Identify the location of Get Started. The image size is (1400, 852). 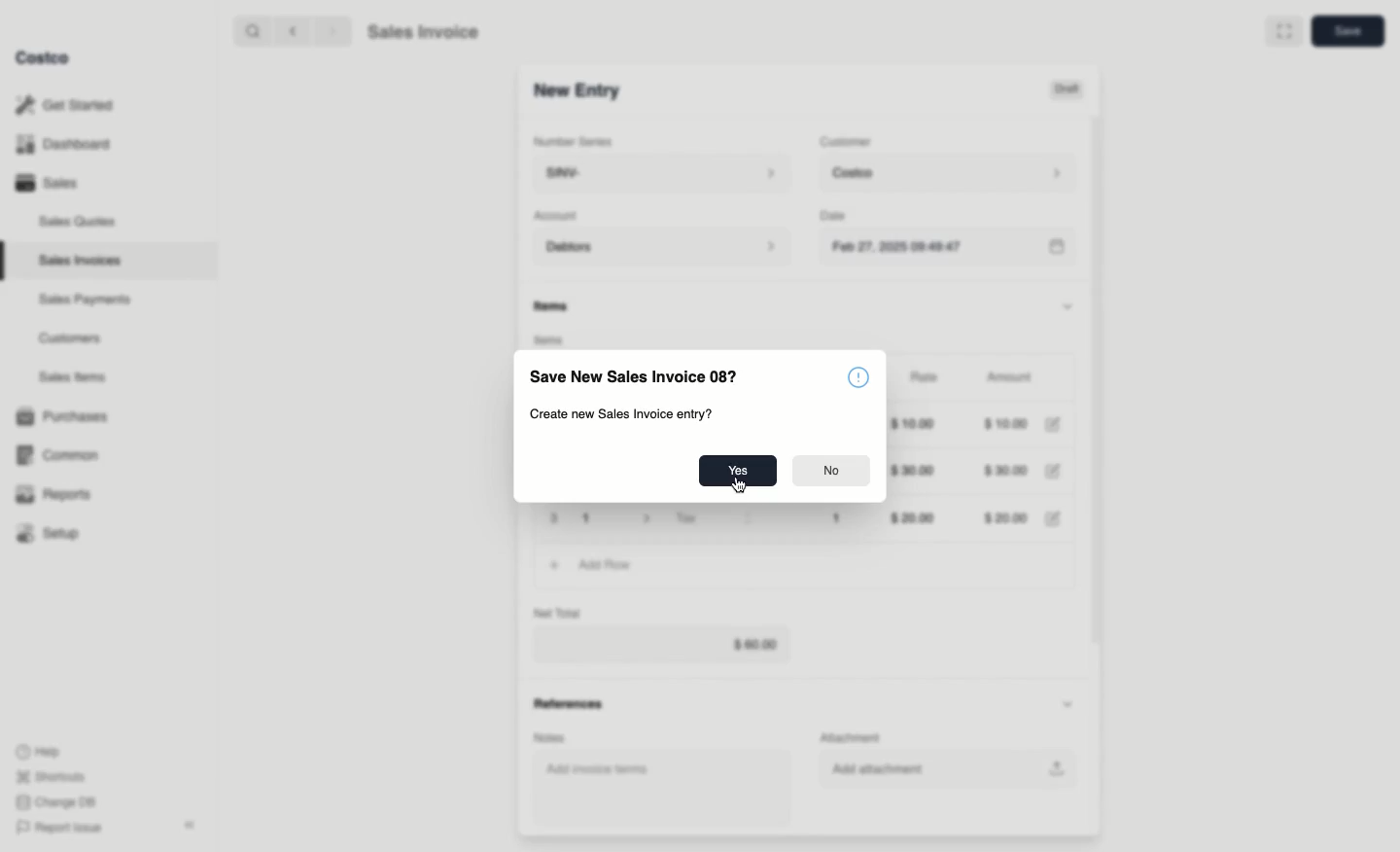
(68, 105).